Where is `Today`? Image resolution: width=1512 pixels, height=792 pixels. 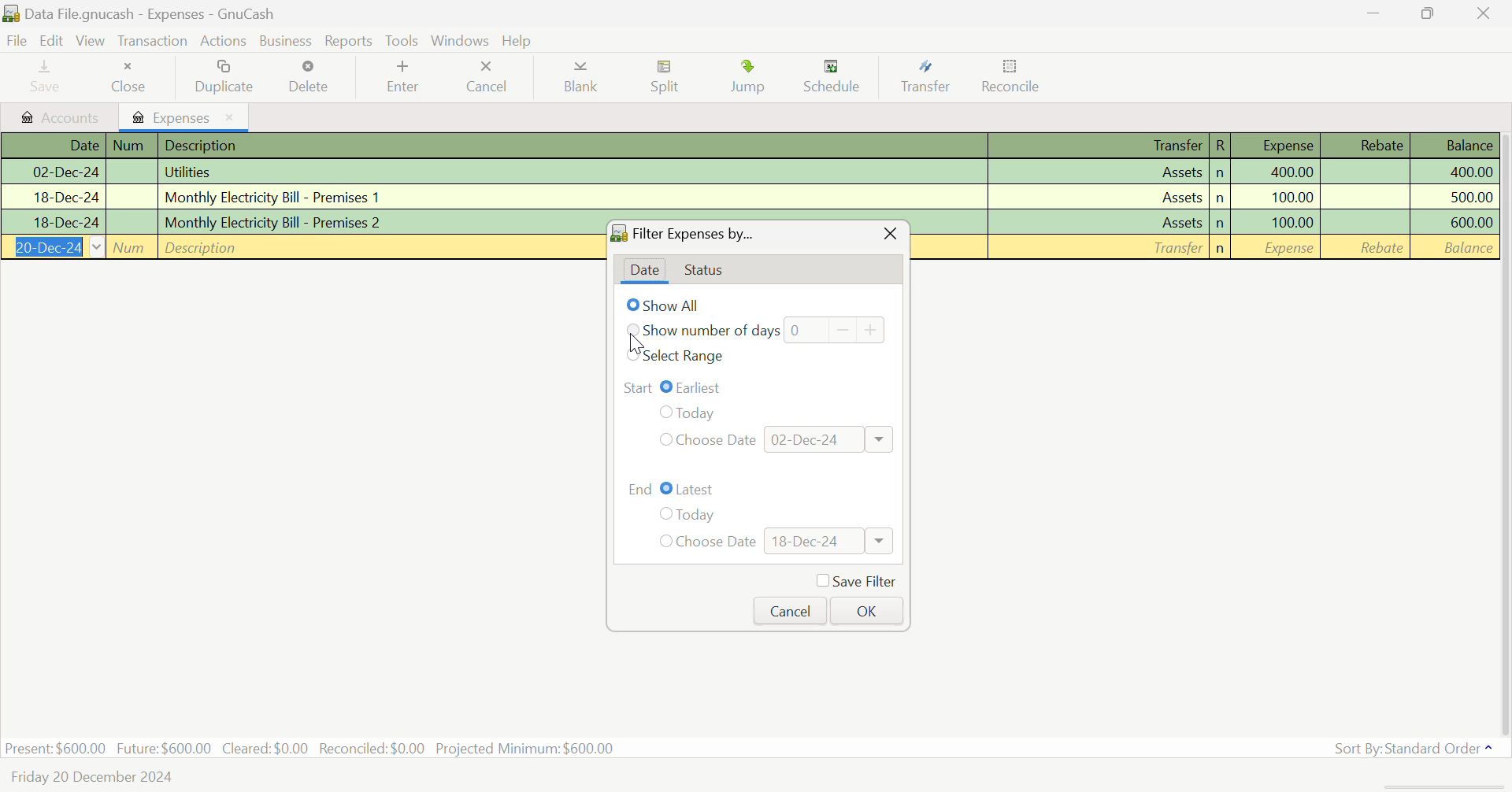
Today is located at coordinates (688, 516).